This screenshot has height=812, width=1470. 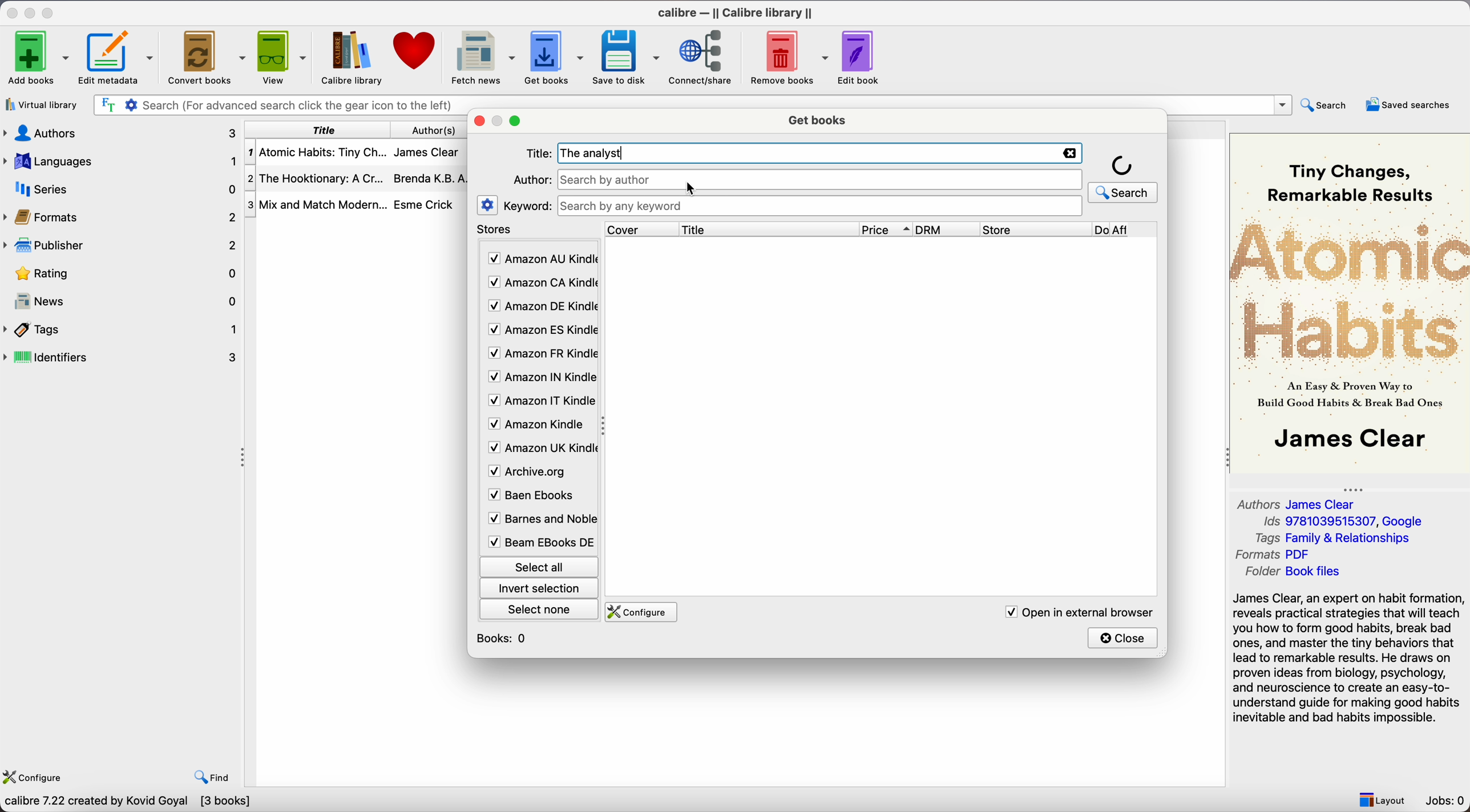 What do you see at coordinates (123, 273) in the screenshot?
I see `rating` at bounding box center [123, 273].